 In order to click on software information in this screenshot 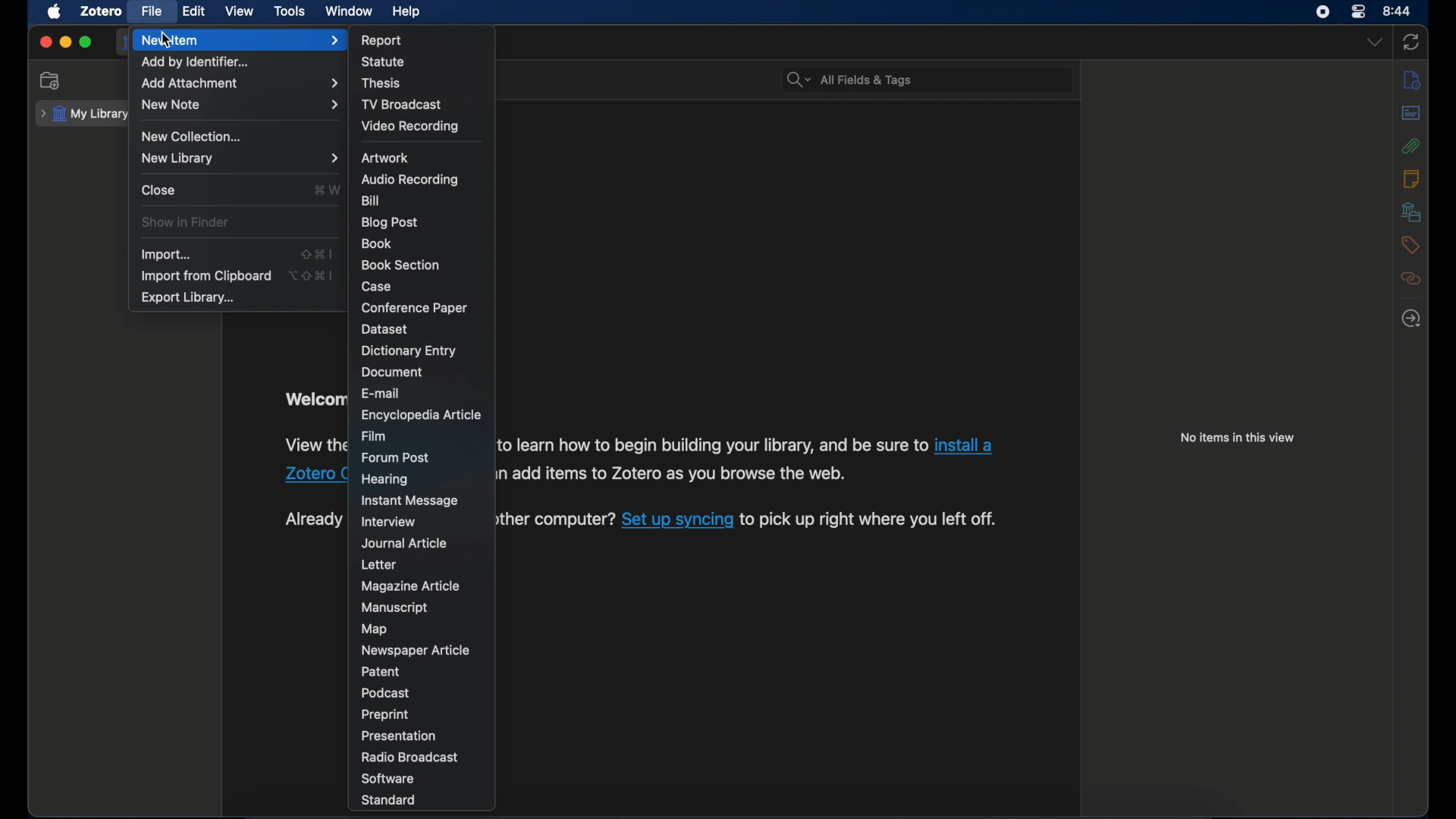, I will do `click(871, 520)`.